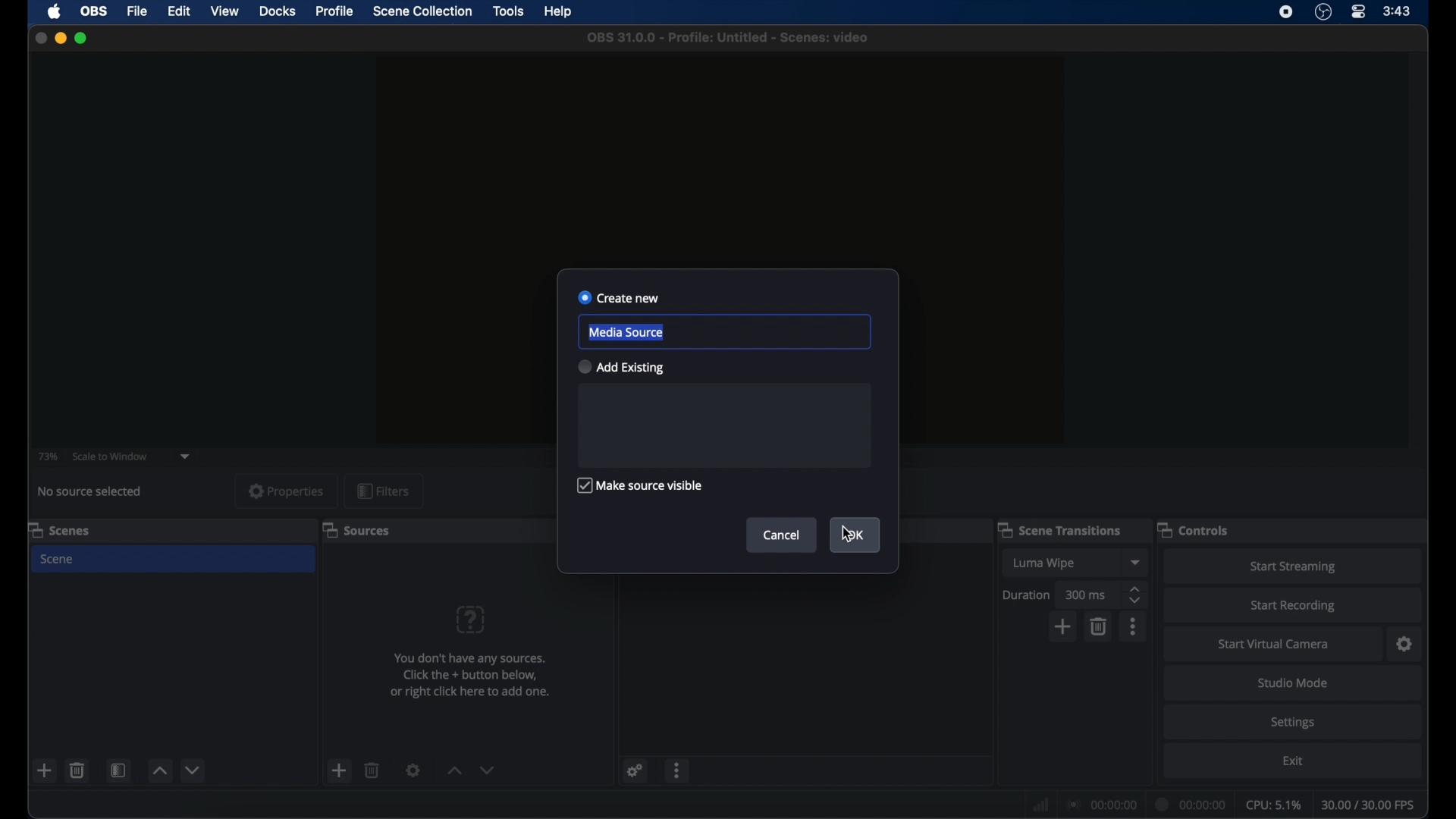  Describe the element at coordinates (83, 38) in the screenshot. I see `maximize` at that location.